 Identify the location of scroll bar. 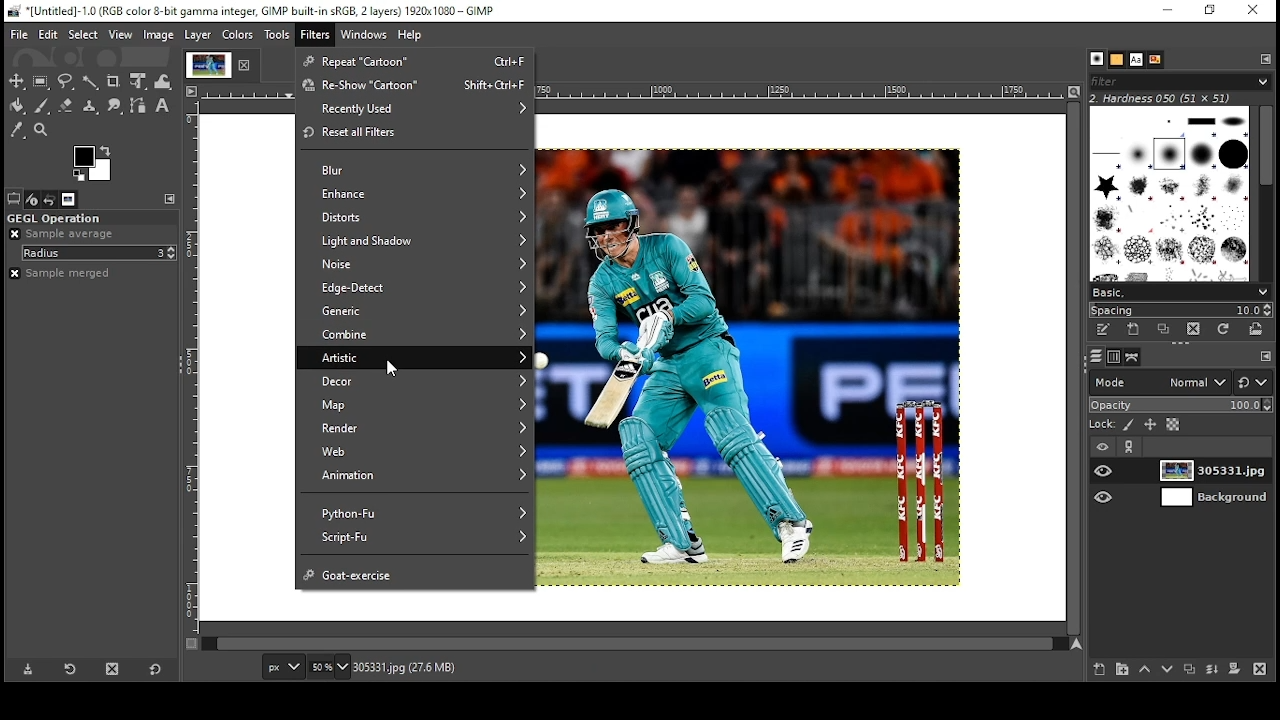
(633, 645).